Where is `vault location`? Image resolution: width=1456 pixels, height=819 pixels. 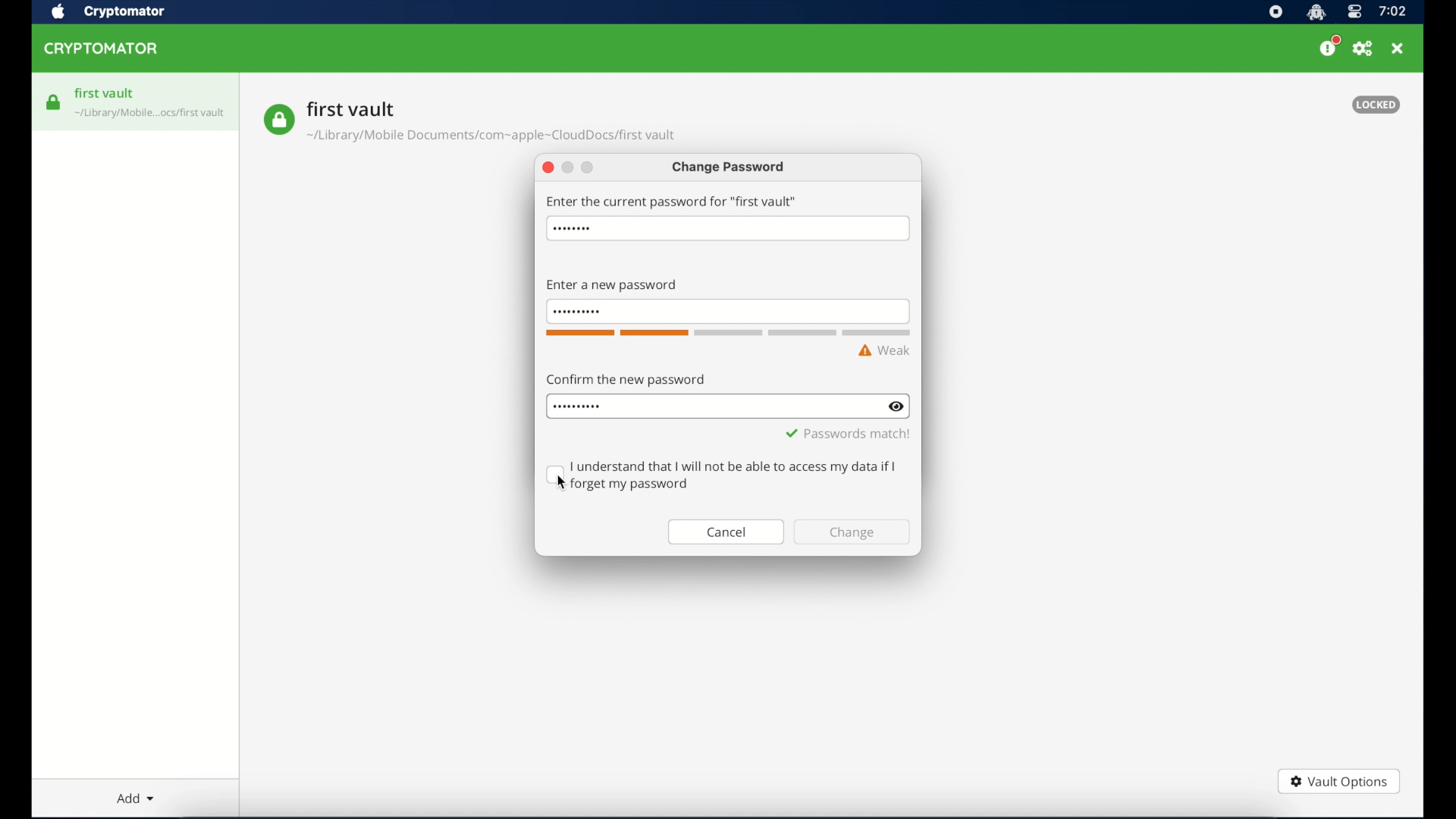
vault location is located at coordinates (493, 138).